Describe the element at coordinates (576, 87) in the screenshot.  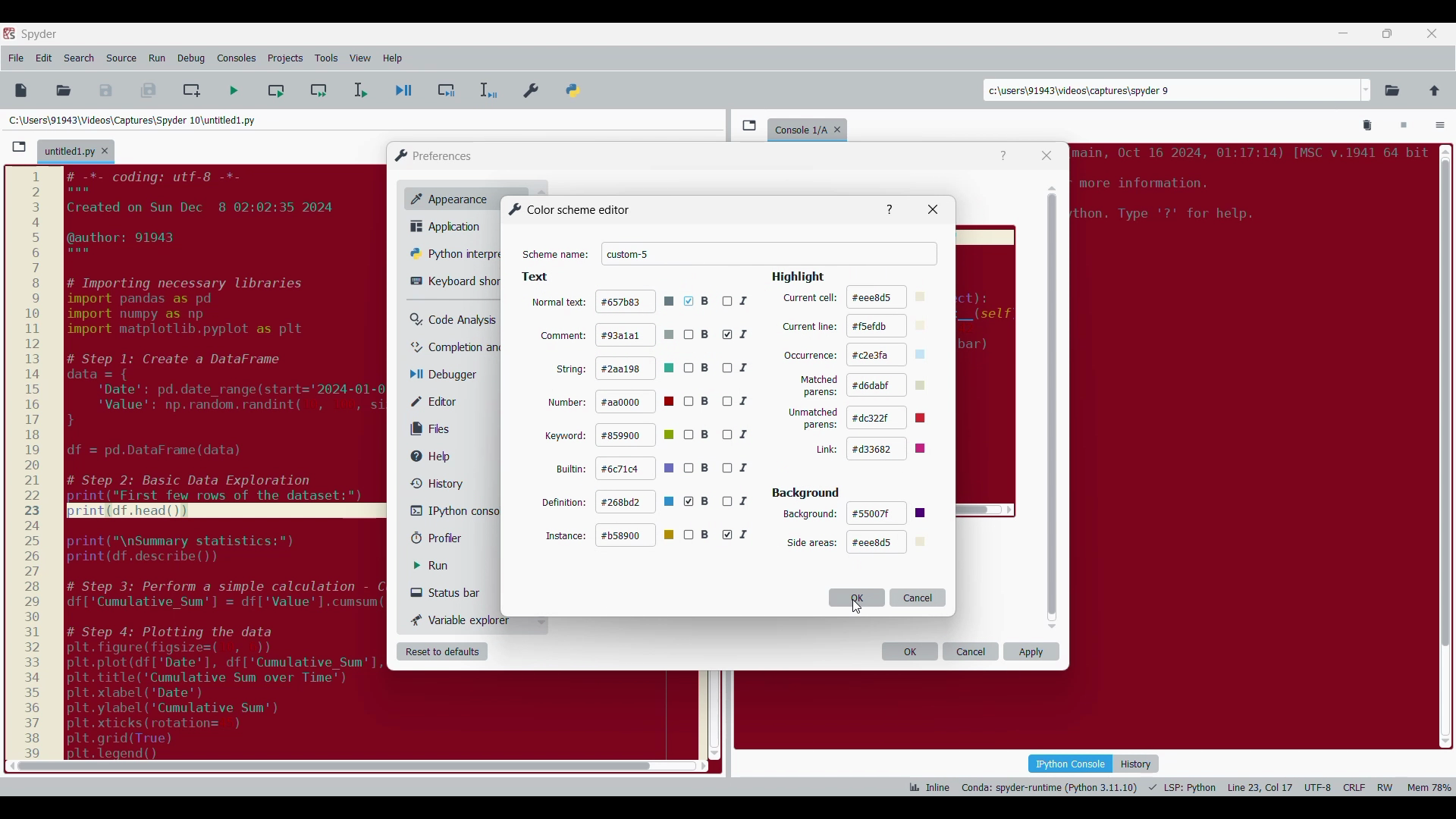
I see `PYTHONPATH manager` at that location.